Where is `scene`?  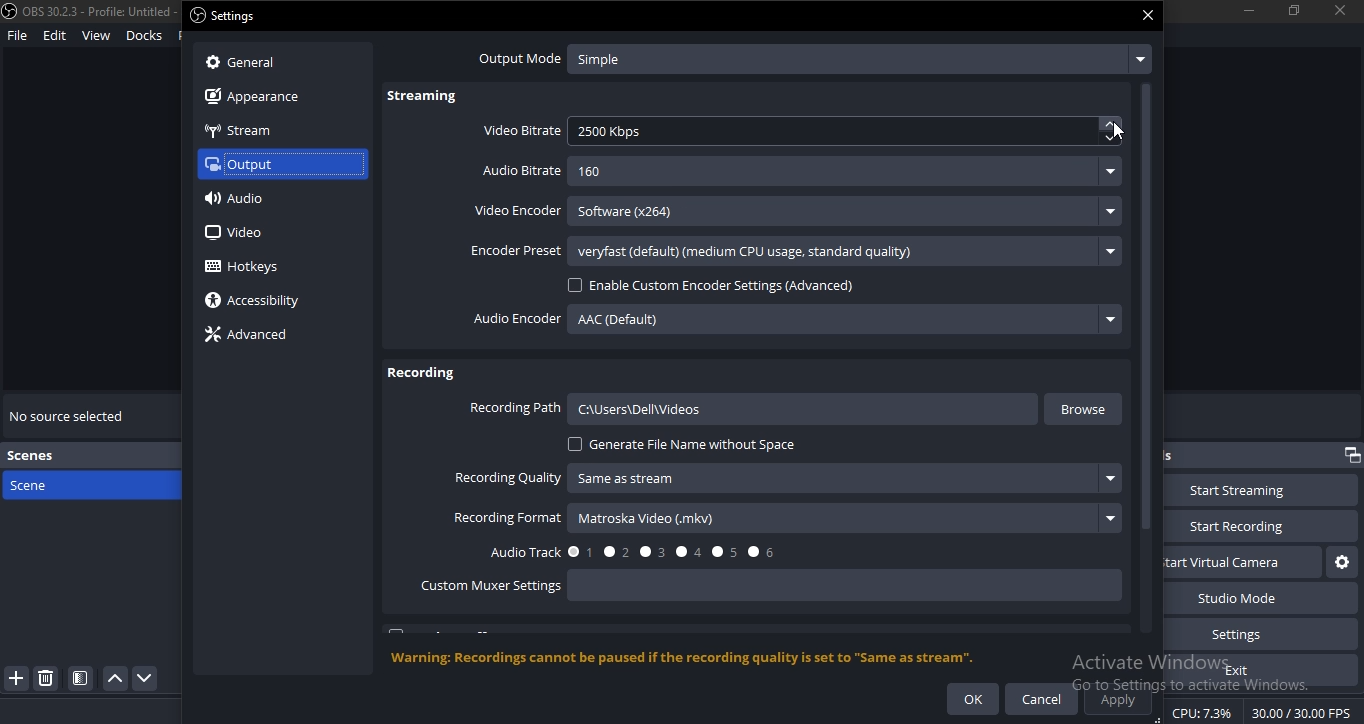
scene is located at coordinates (64, 484).